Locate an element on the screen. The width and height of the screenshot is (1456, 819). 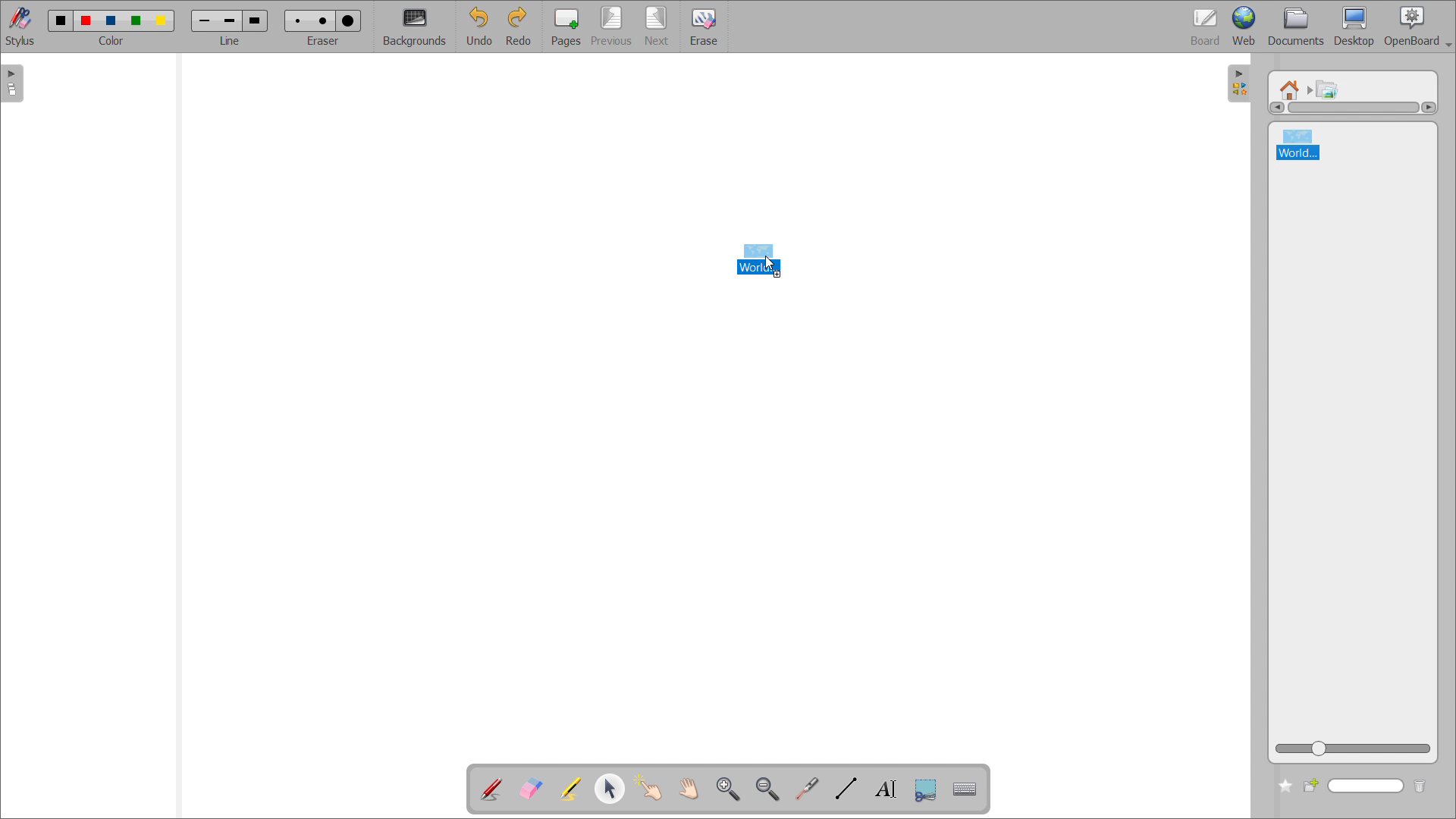
stylus is located at coordinates (20, 26).